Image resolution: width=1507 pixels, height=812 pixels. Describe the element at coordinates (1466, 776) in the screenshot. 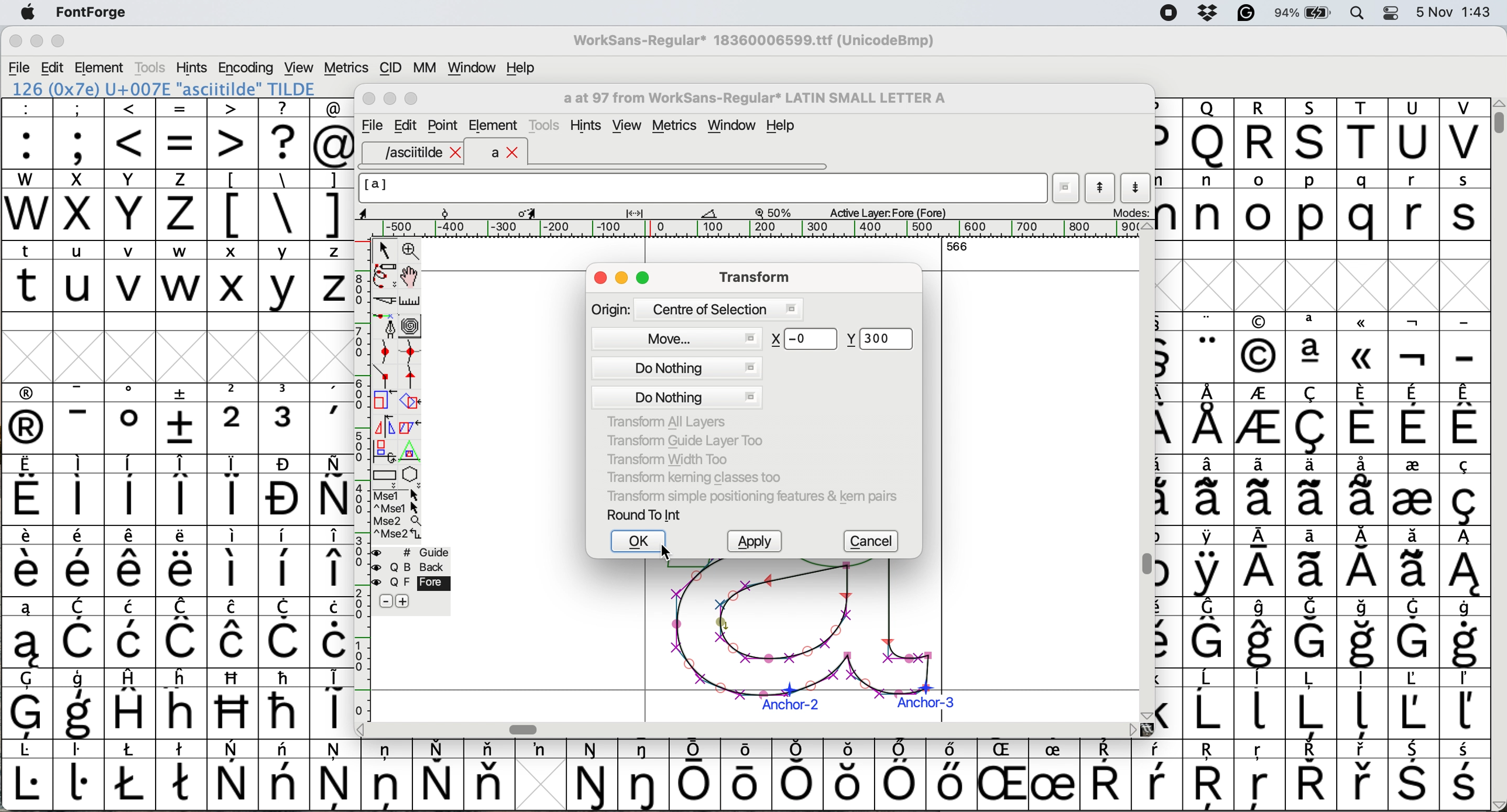

I see `symbol` at that location.